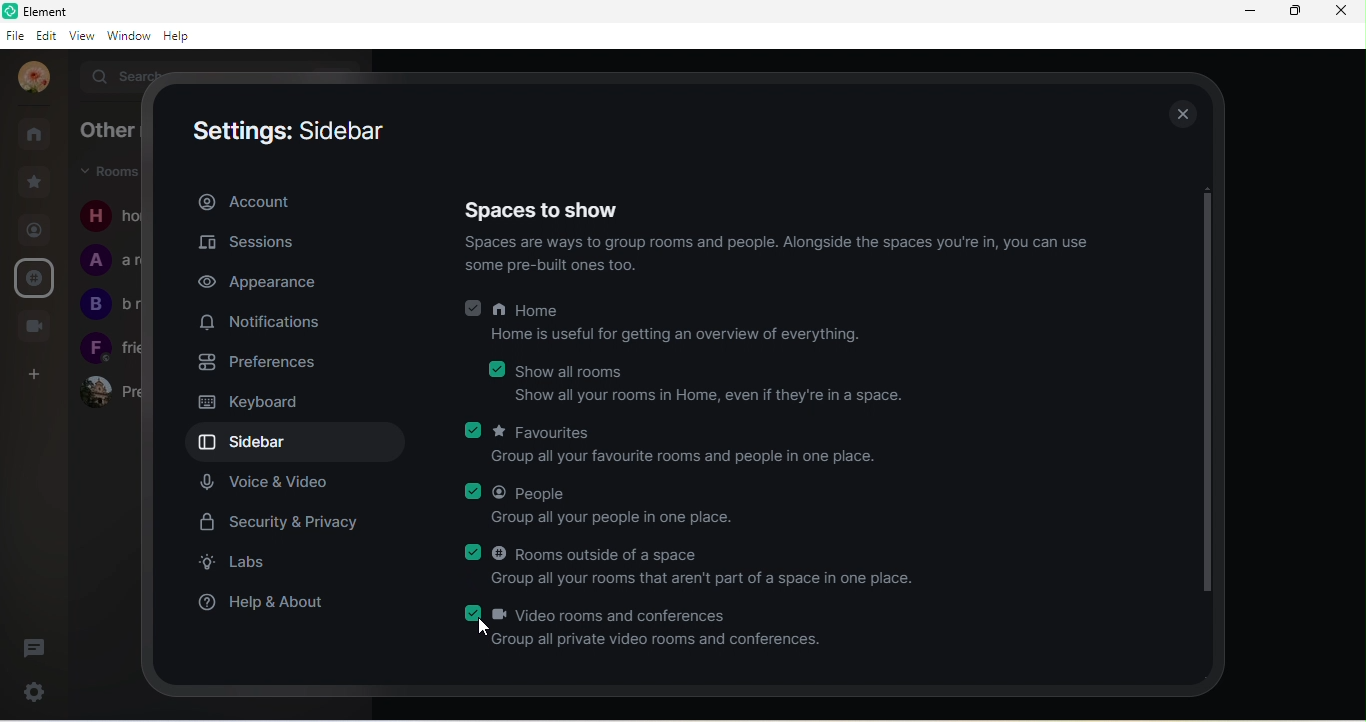  Describe the element at coordinates (267, 281) in the screenshot. I see `appearance` at that location.